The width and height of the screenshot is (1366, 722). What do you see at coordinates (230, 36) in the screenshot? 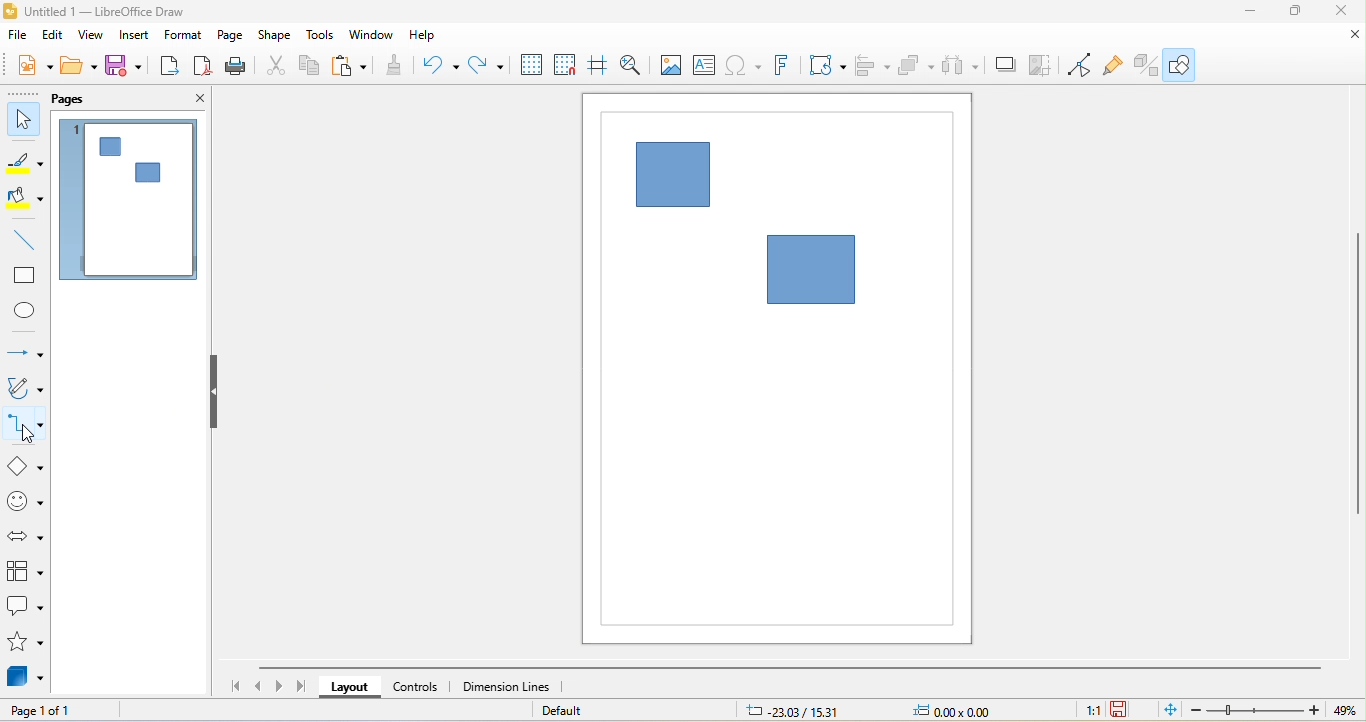
I see `page` at bounding box center [230, 36].